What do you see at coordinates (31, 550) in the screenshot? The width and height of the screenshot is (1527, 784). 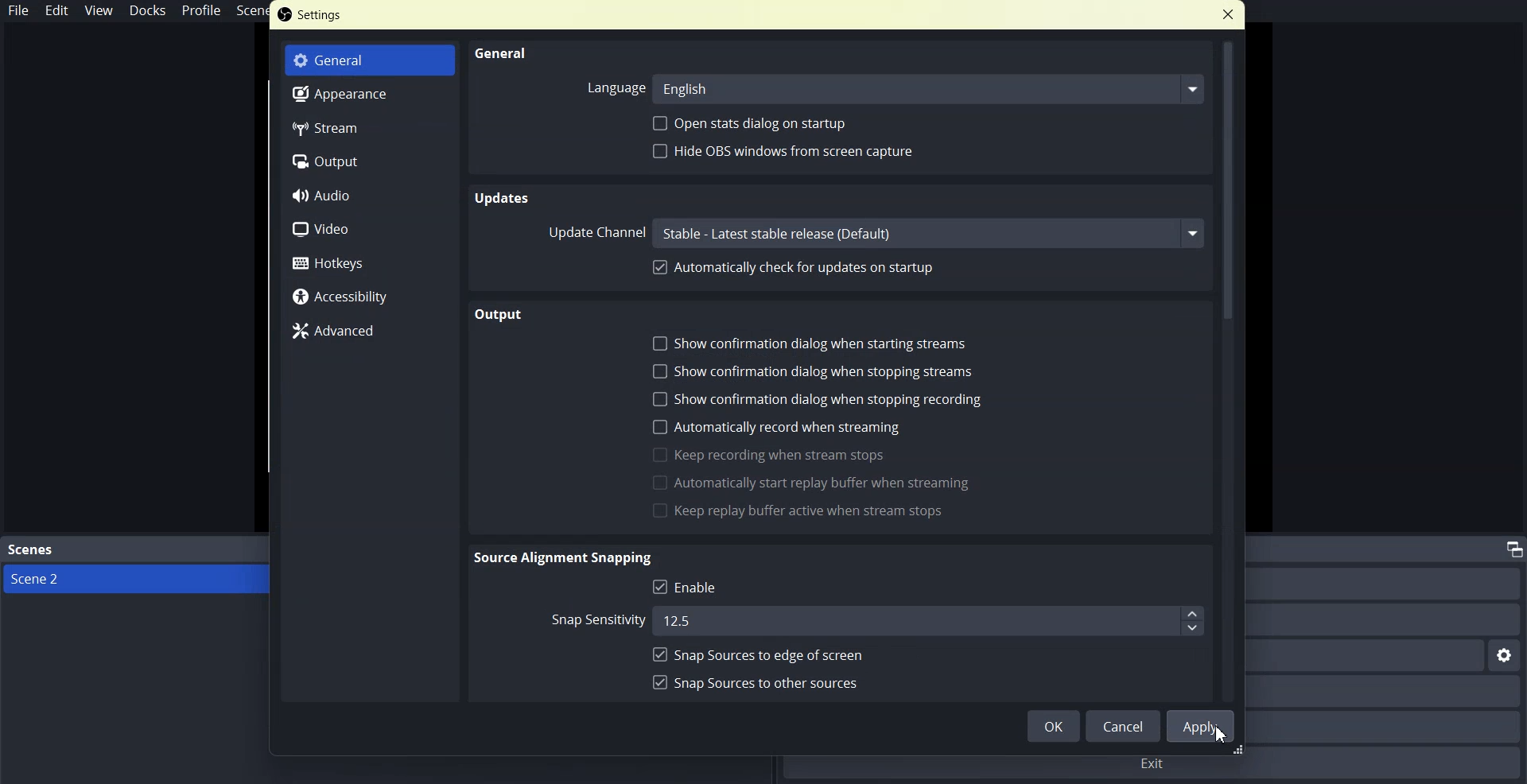 I see `Text` at bounding box center [31, 550].